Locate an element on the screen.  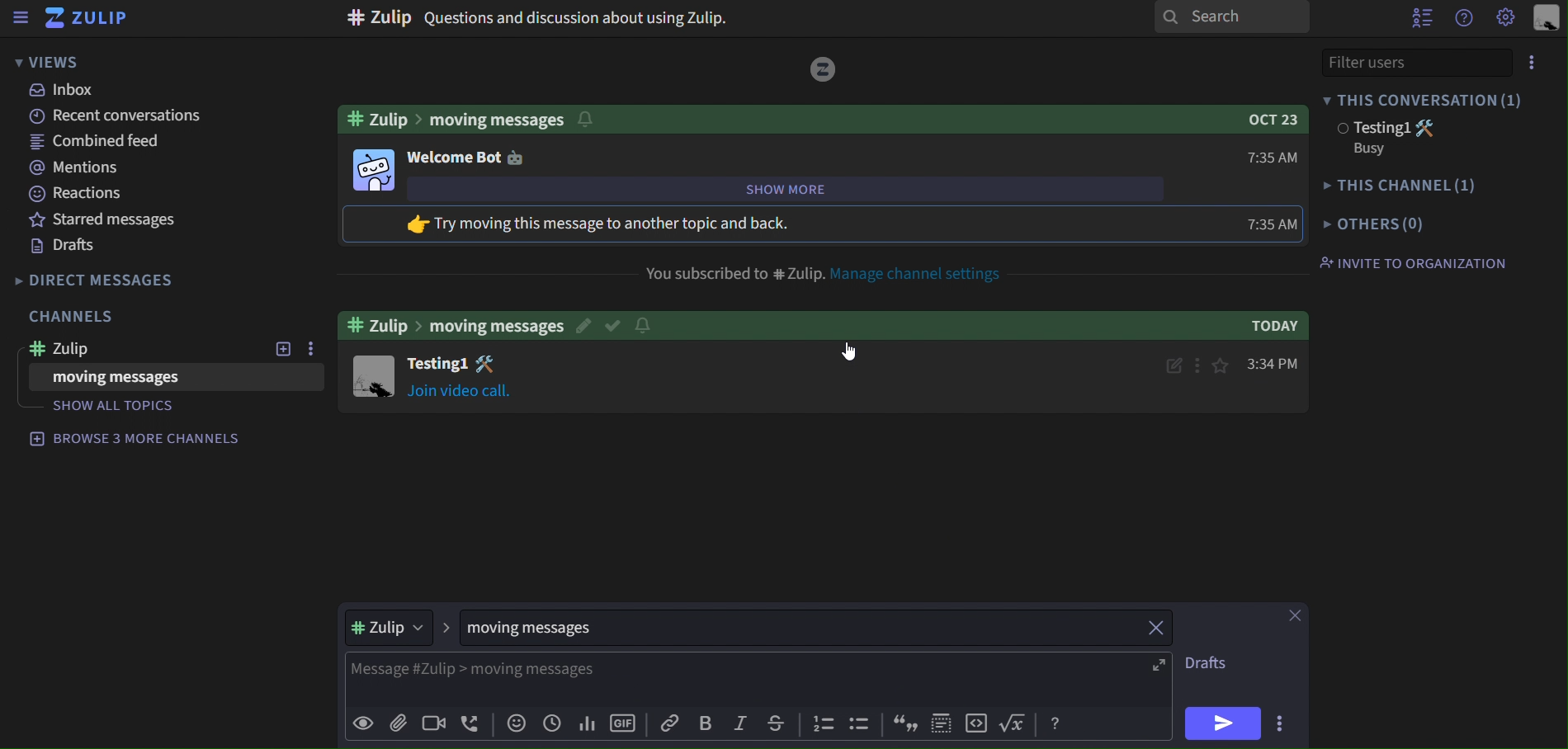
filter users is located at coordinates (1428, 62).